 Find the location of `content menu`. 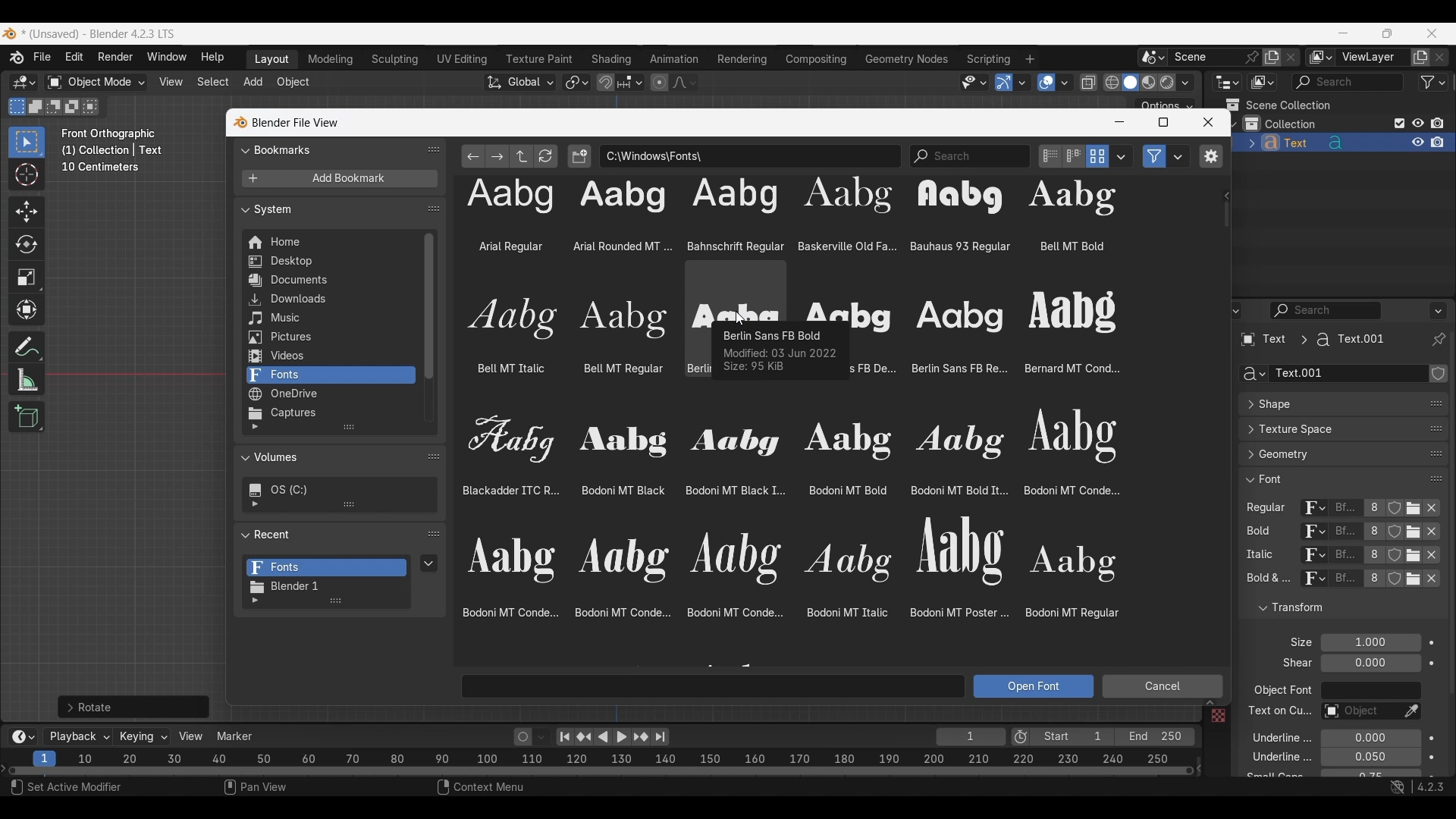

content menu is located at coordinates (471, 789).